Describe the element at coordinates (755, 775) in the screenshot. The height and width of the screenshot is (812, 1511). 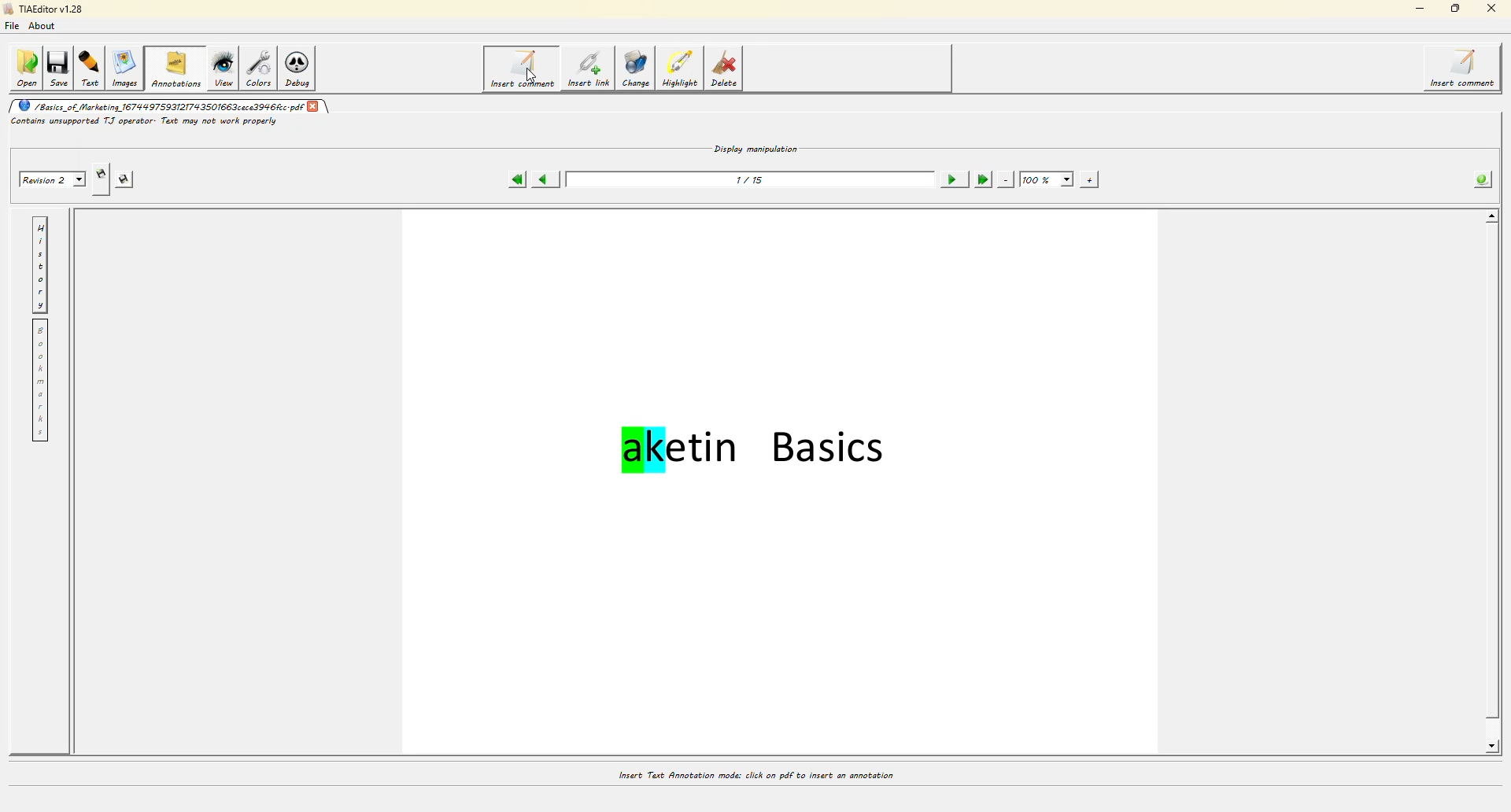
I see `Insert Text Annotation mode: click on pdf to insert an annotation` at that location.